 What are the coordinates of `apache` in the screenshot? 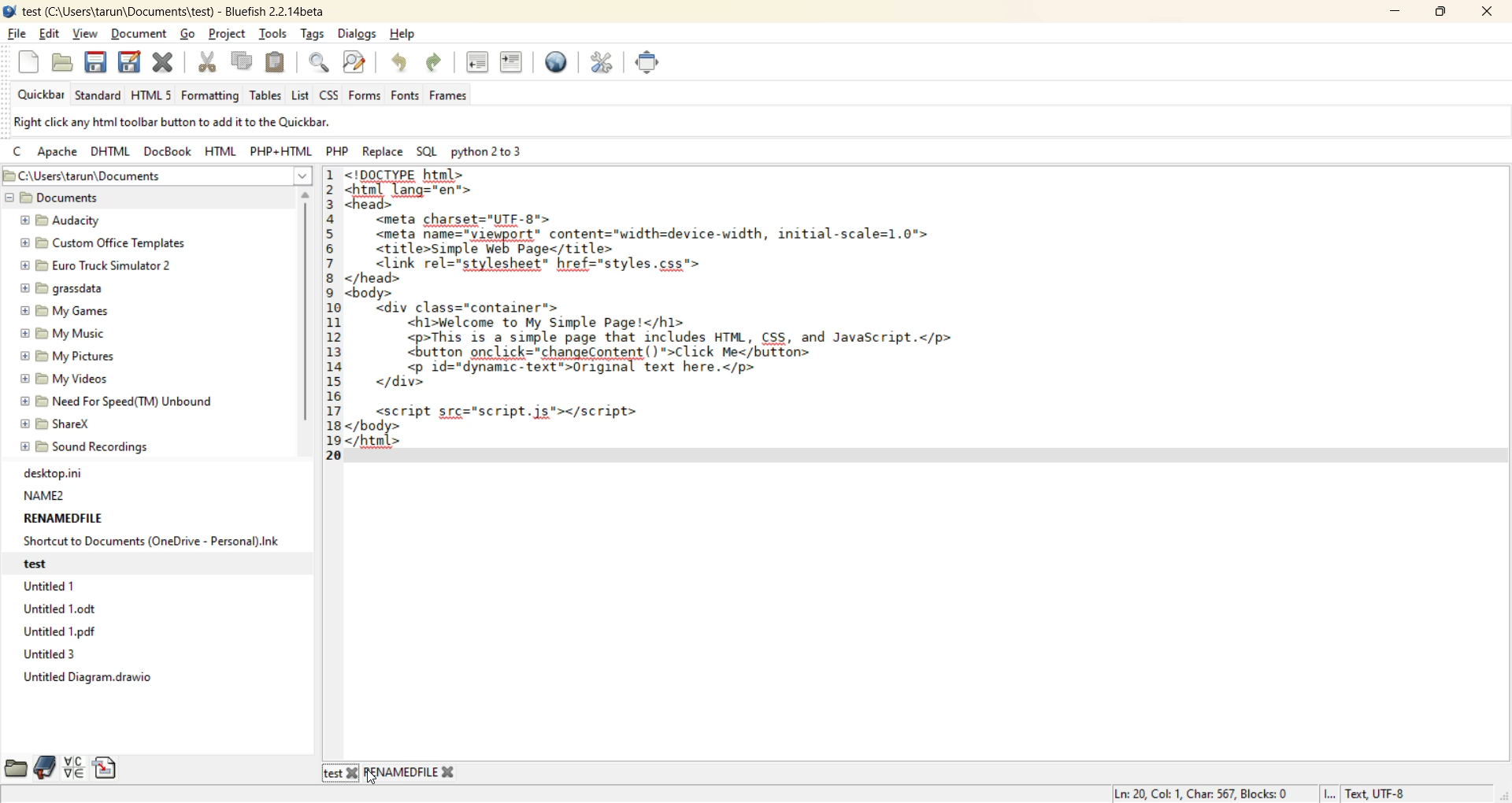 It's located at (56, 154).